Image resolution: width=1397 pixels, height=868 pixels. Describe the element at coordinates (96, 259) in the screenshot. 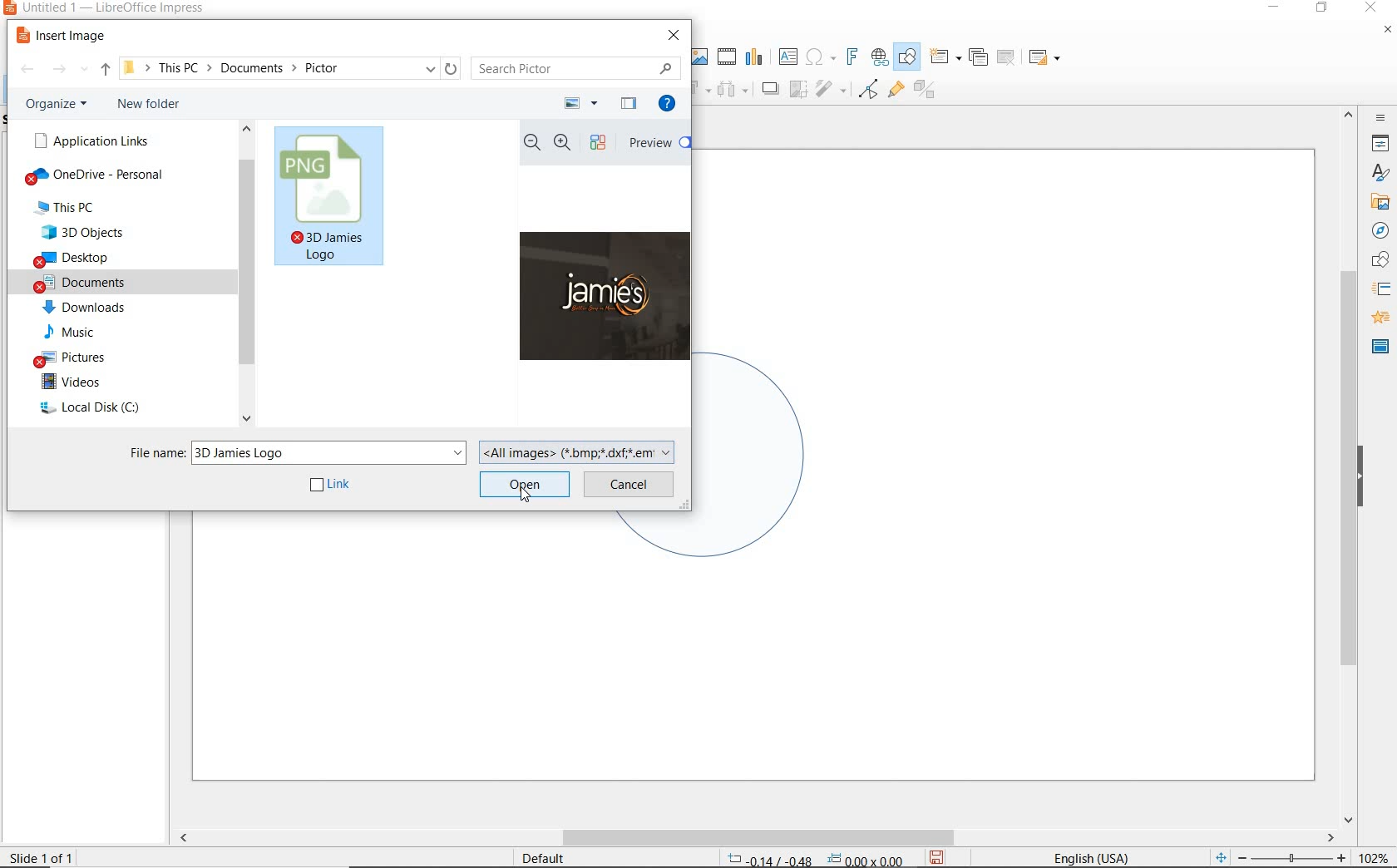

I see `desktop` at that location.